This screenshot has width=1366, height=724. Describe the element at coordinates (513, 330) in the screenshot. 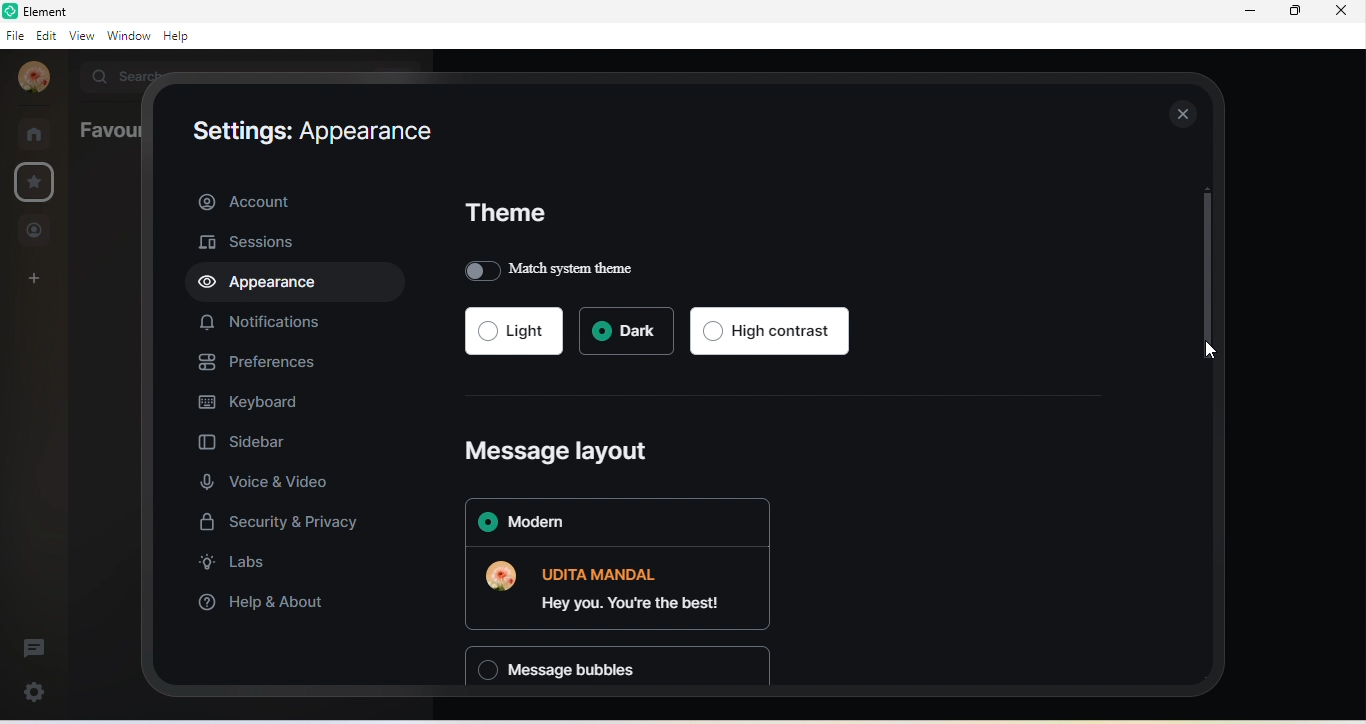

I see `light` at that location.